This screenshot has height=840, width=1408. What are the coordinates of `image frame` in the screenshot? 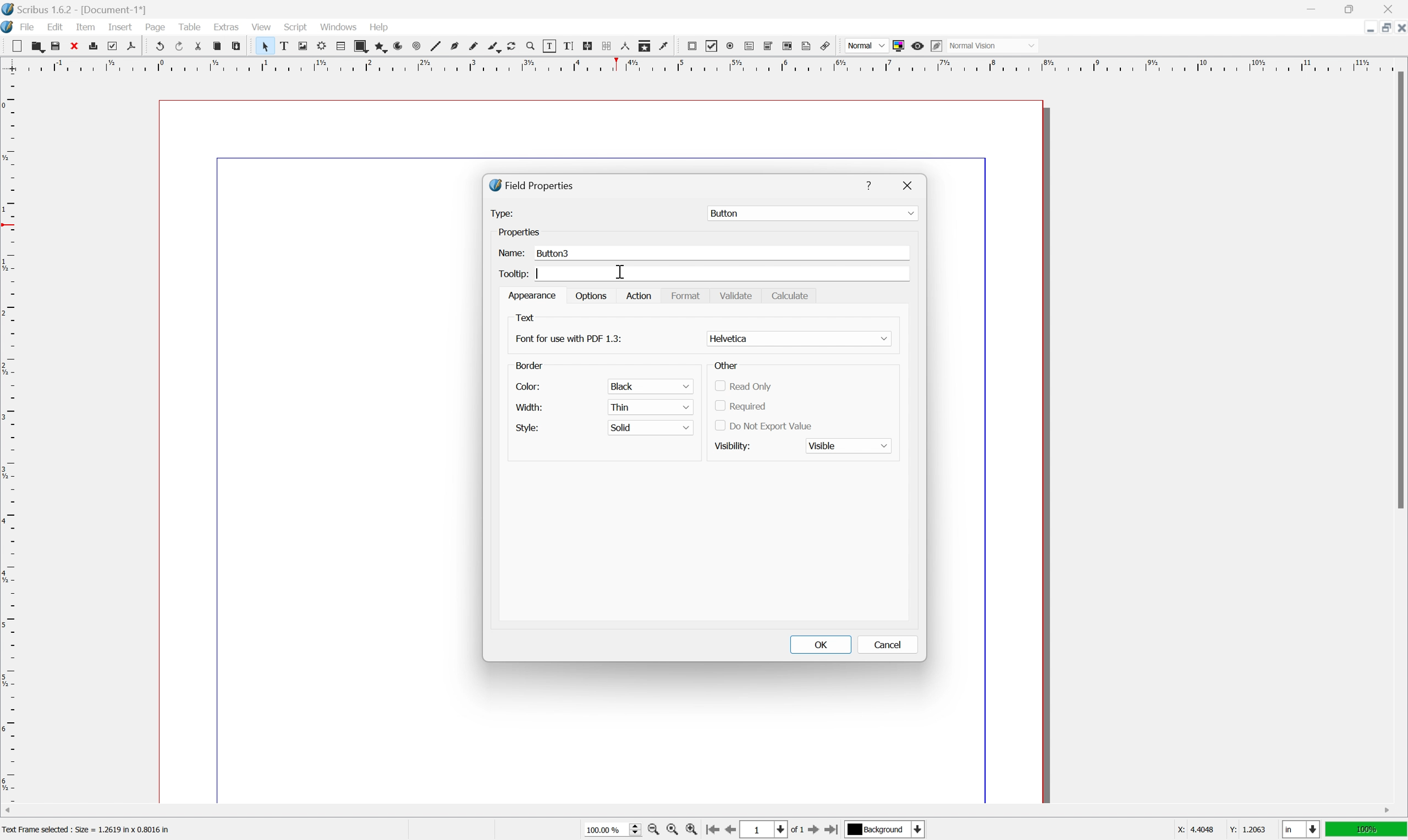 It's located at (303, 46).